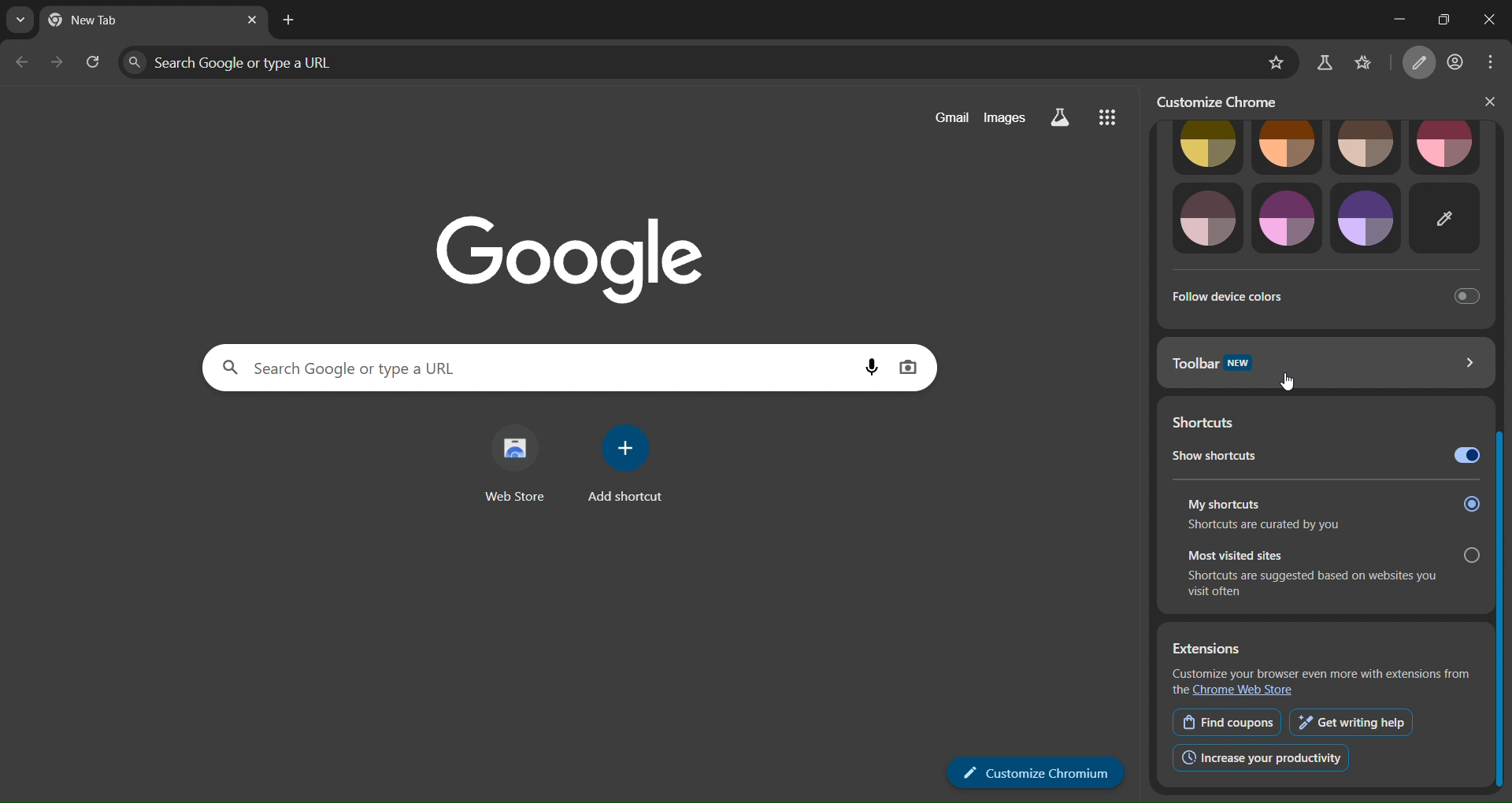  Describe the element at coordinates (1336, 553) in the screenshot. I see `most visited sites` at that location.